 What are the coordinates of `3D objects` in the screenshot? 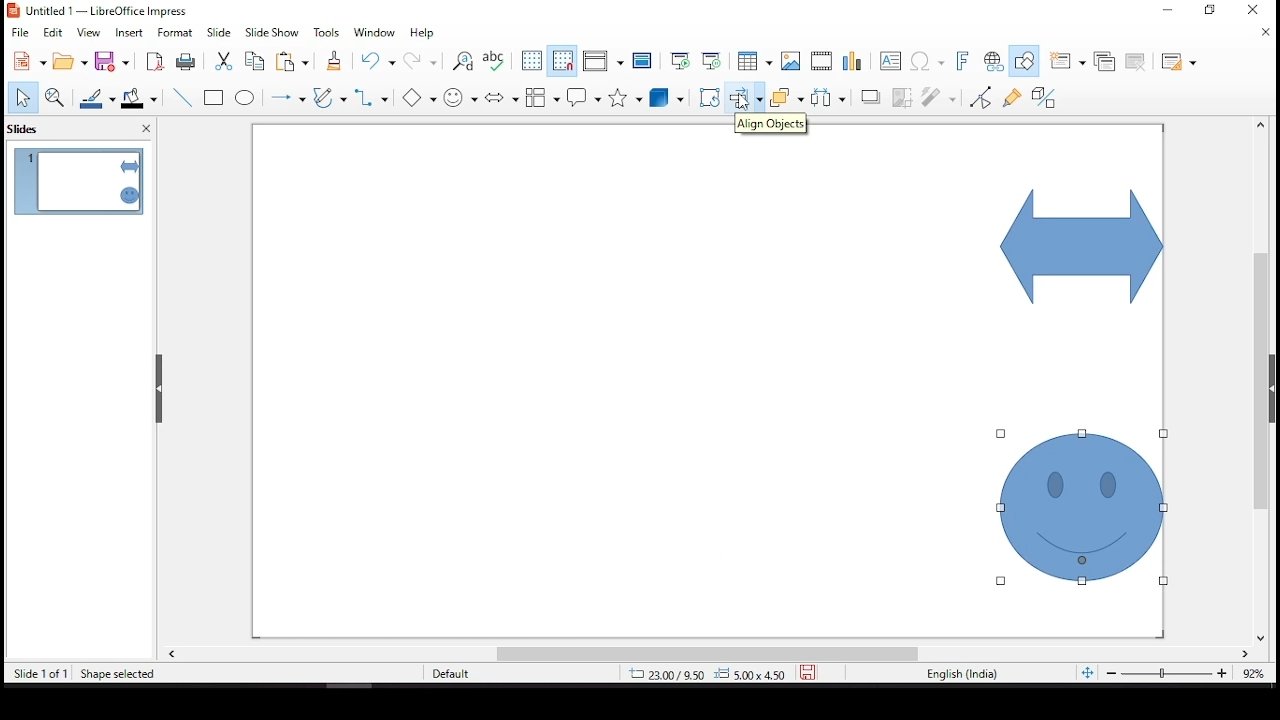 It's located at (665, 98).